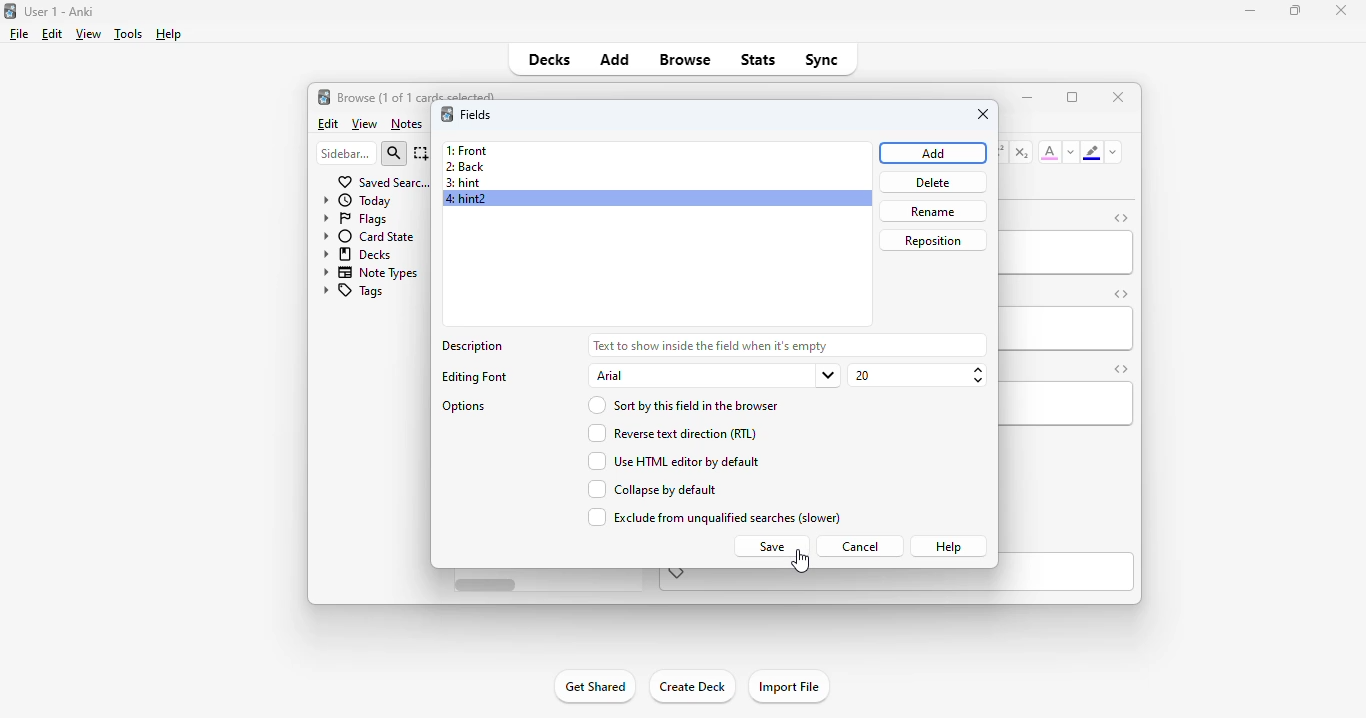 The image size is (1366, 718). What do you see at coordinates (712, 517) in the screenshot?
I see `exclude from unqualified searches (slower)` at bounding box center [712, 517].